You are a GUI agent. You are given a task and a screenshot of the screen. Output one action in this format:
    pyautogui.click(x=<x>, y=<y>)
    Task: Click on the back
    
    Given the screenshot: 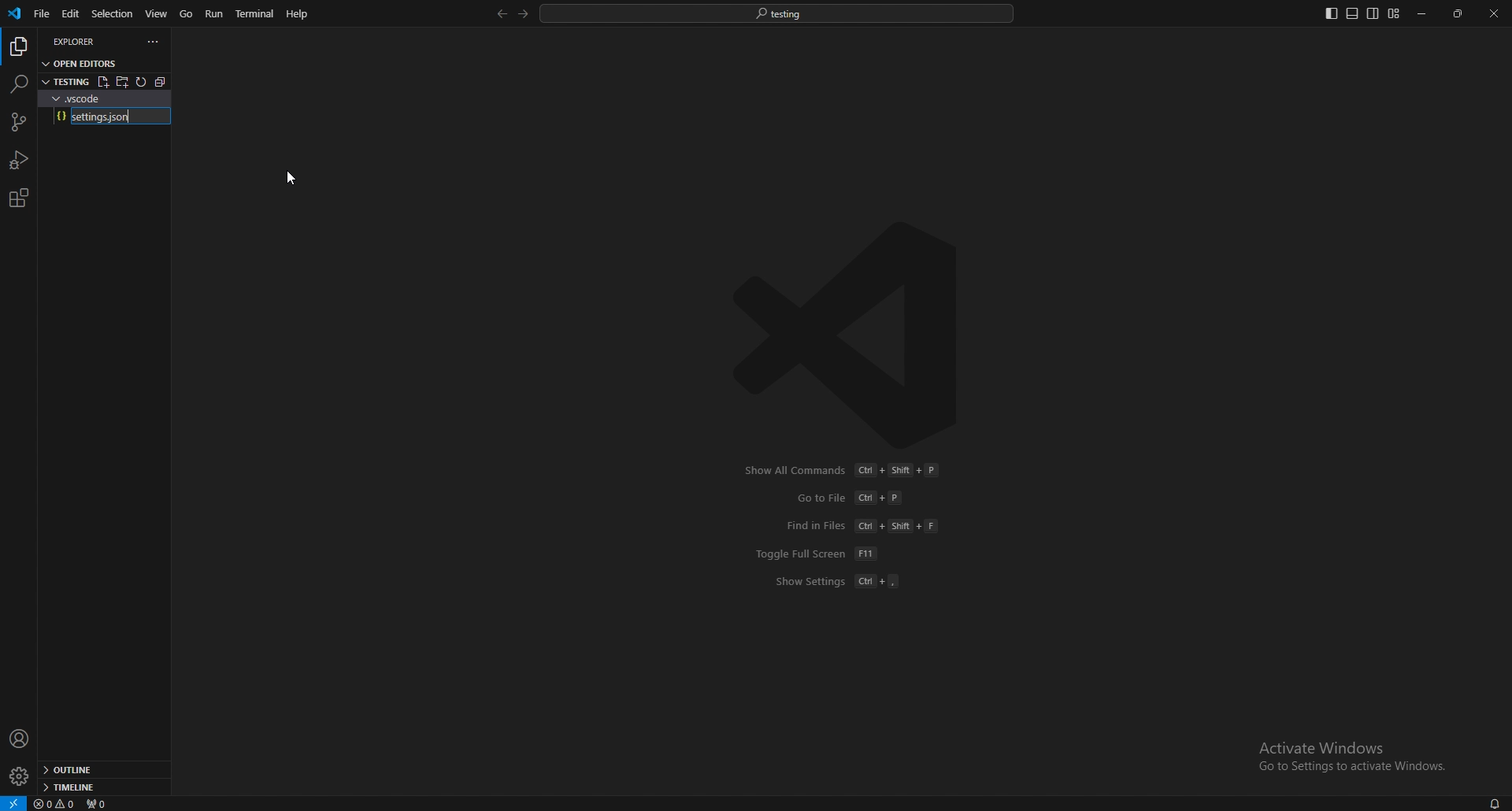 What is the action you would take?
    pyautogui.click(x=498, y=14)
    